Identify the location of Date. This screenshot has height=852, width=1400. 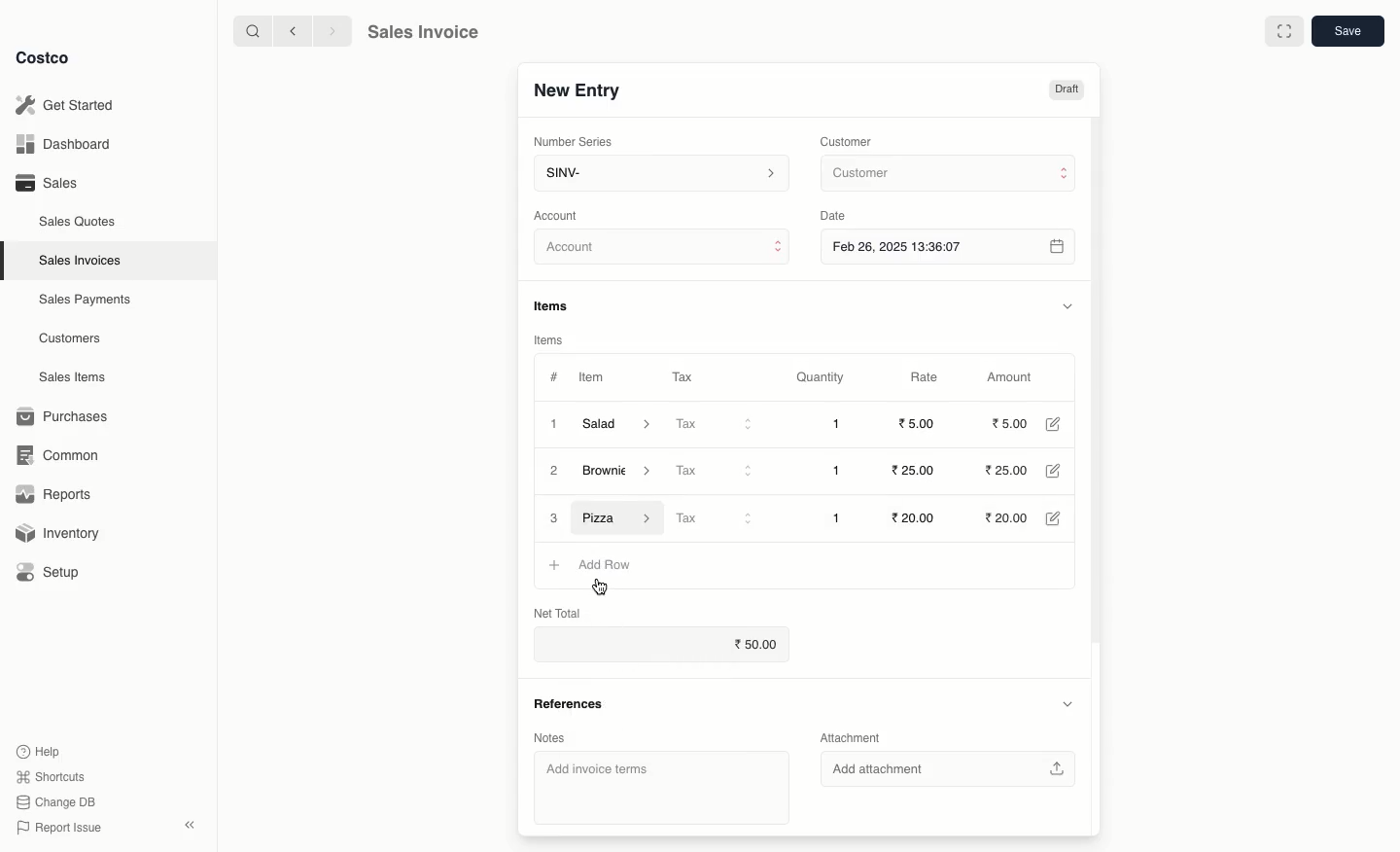
(838, 216).